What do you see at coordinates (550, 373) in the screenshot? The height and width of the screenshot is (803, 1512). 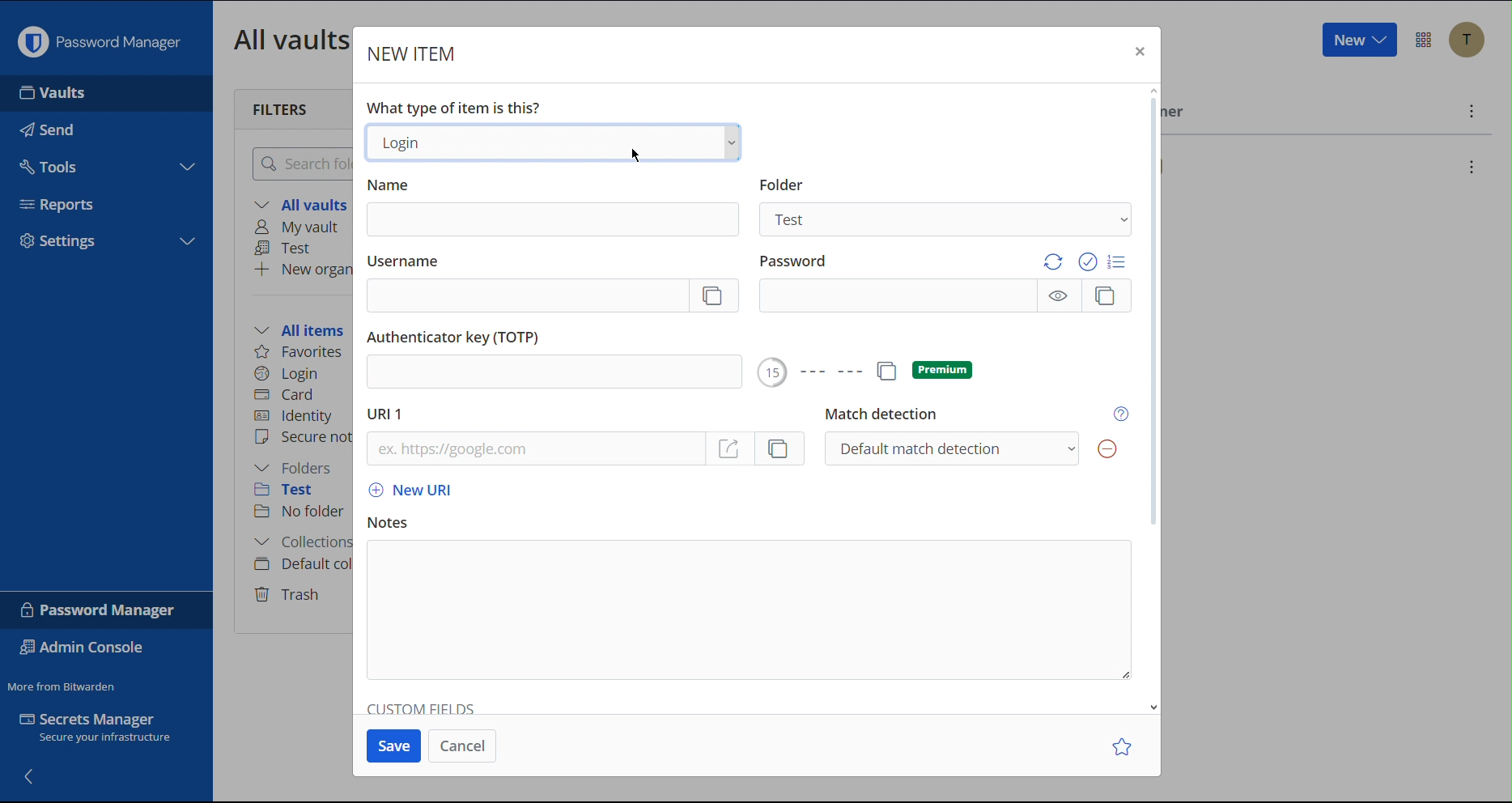 I see `add Authenticator Key` at bounding box center [550, 373].